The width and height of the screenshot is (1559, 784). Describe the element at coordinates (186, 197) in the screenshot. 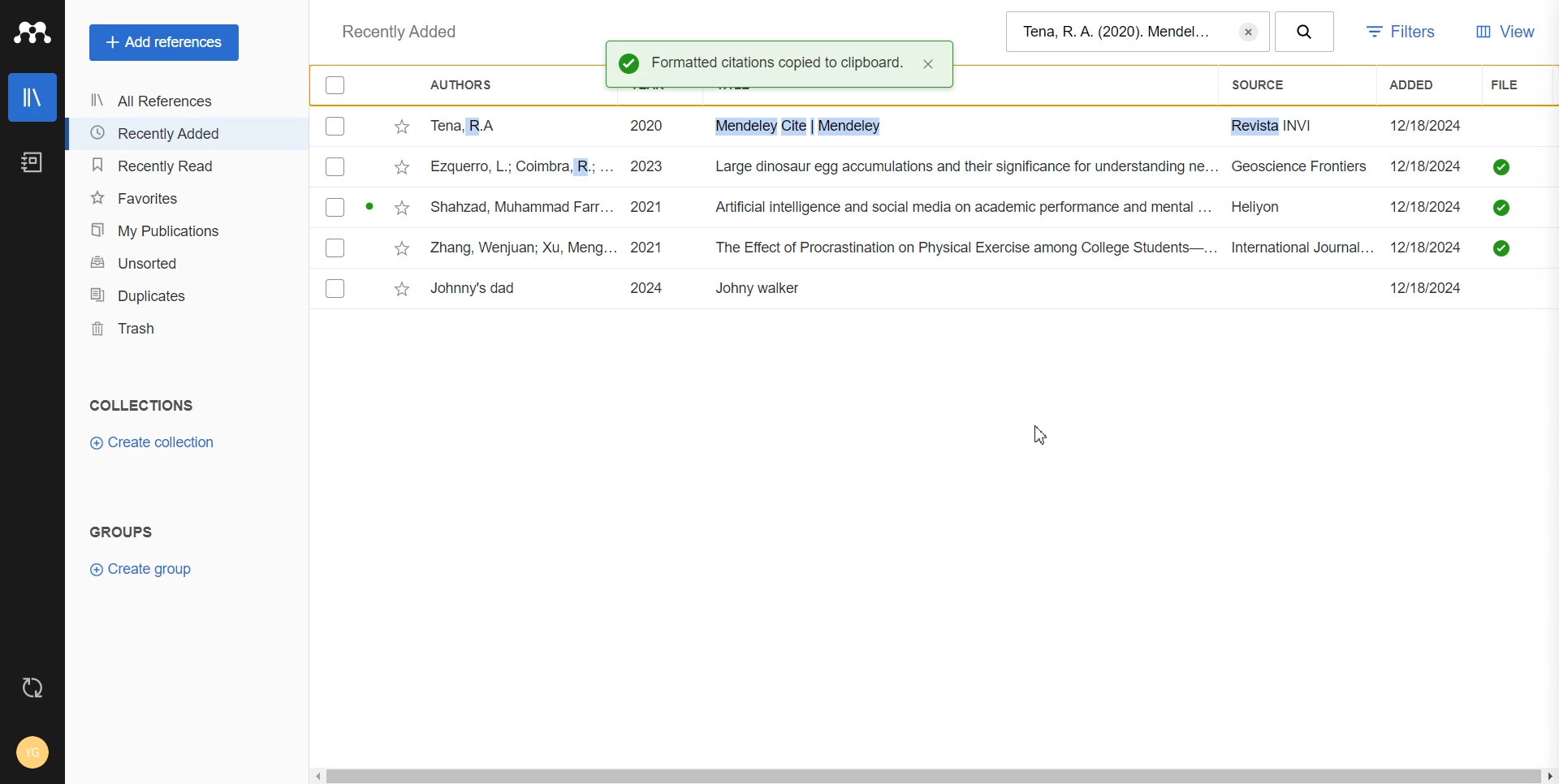

I see `Favorites` at that location.